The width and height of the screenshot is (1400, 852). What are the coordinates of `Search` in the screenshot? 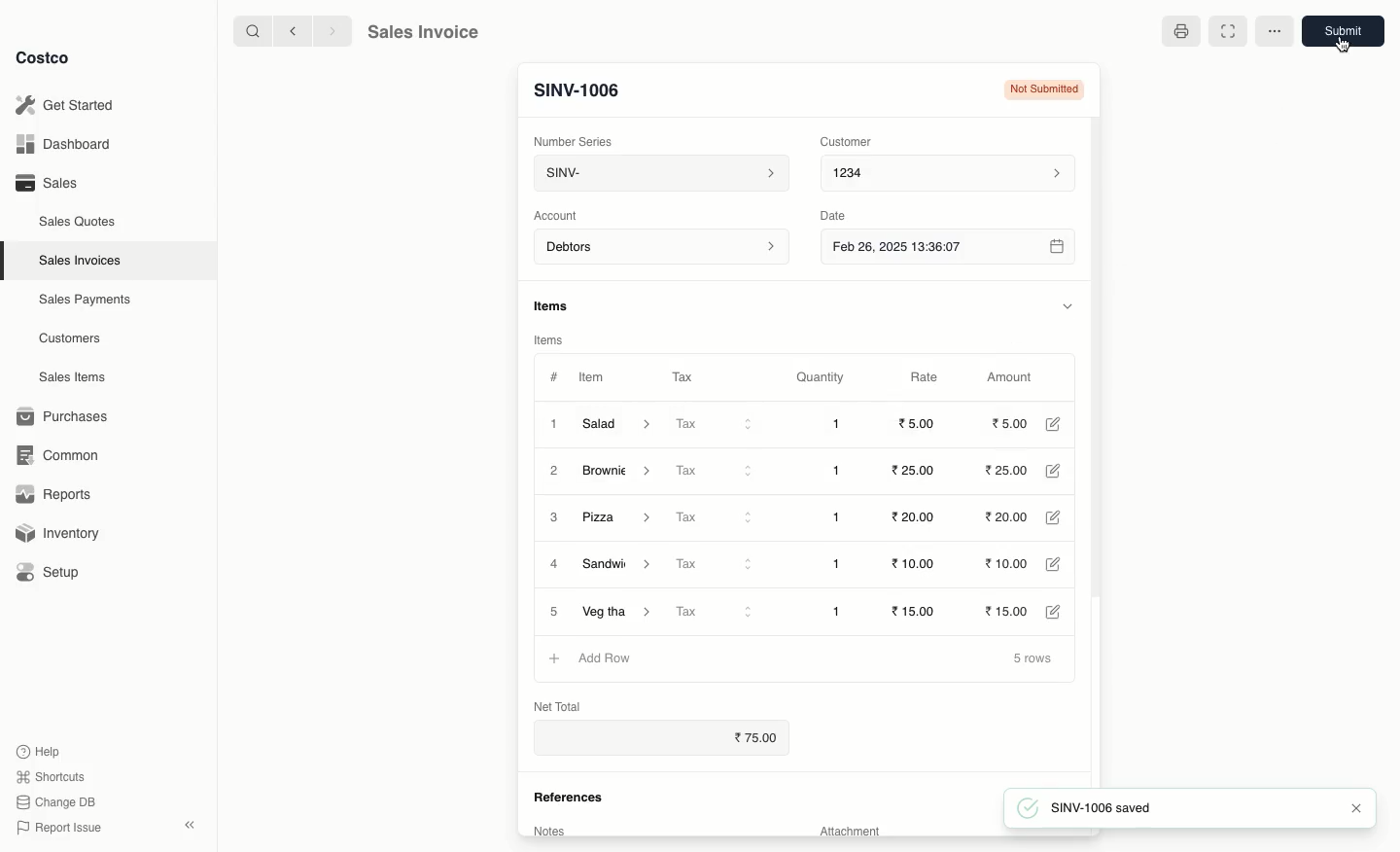 It's located at (250, 30).